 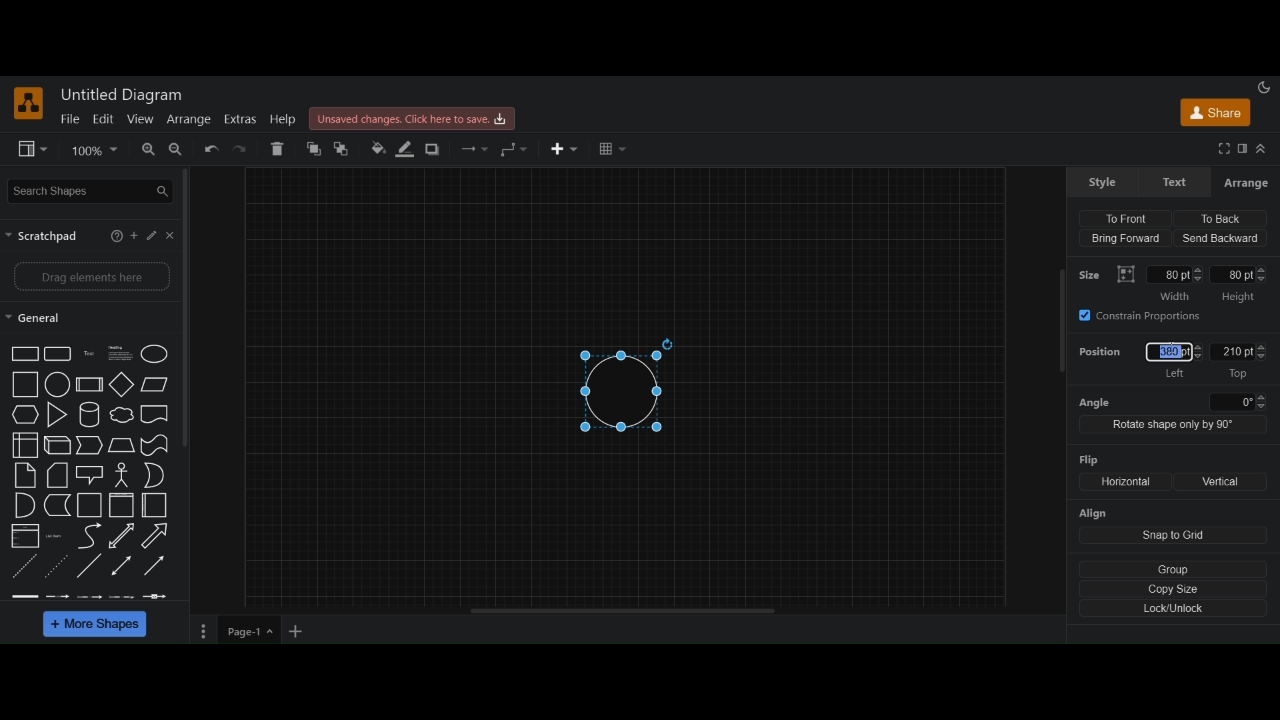 I want to click on fill color, so click(x=378, y=148).